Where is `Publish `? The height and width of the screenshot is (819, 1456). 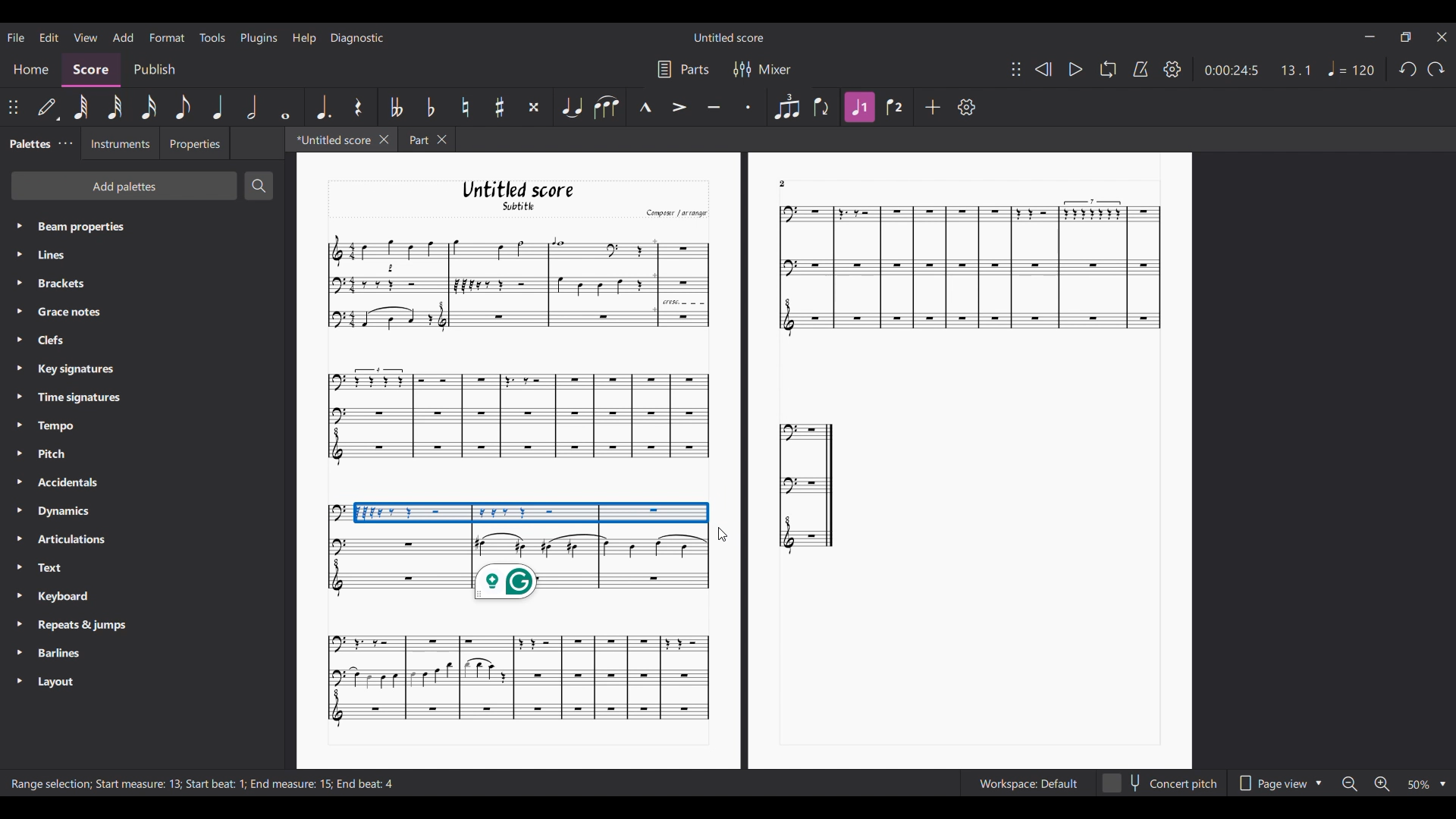 Publish  is located at coordinates (155, 71).